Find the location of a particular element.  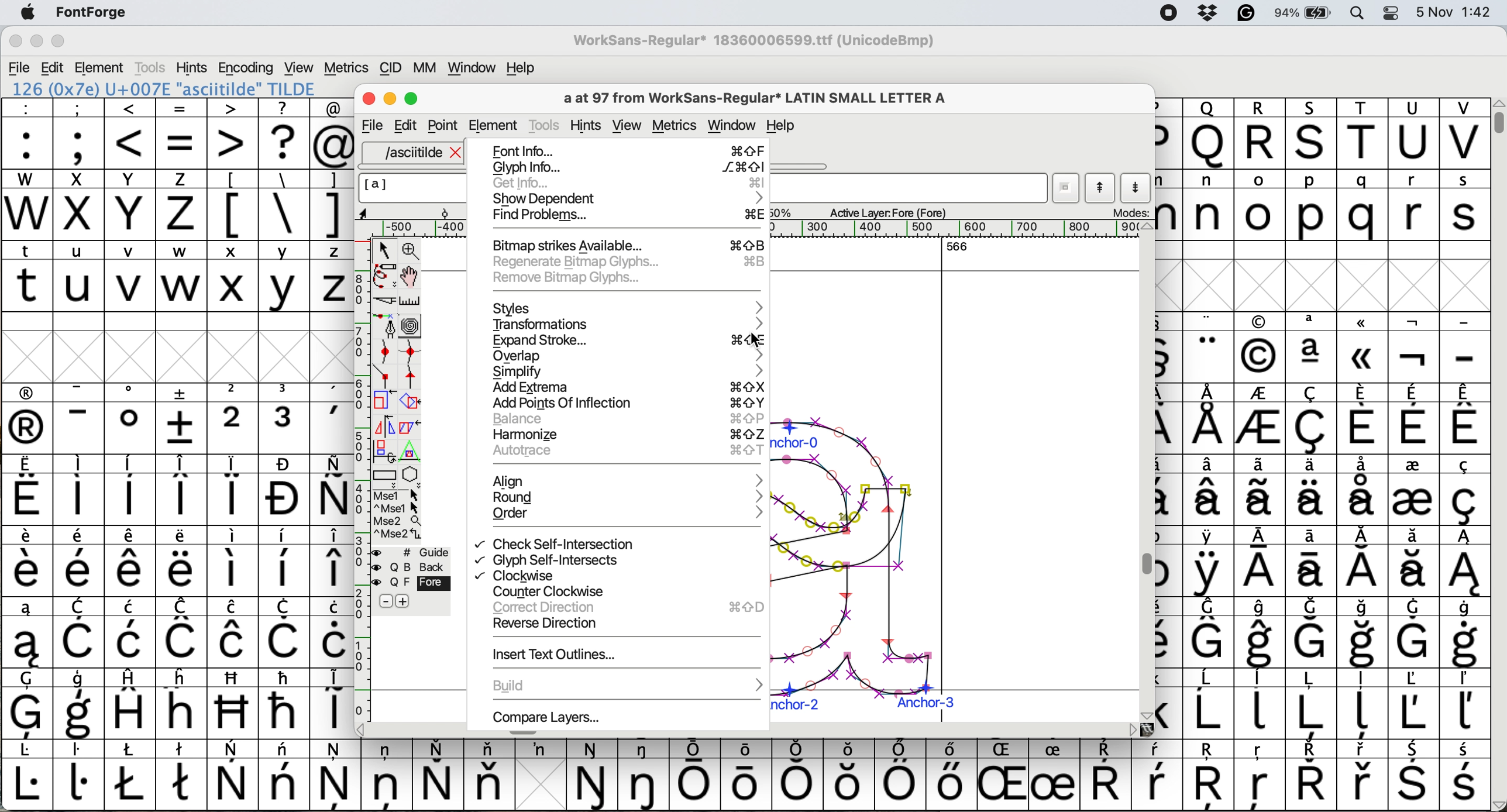

edit is located at coordinates (54, 68).